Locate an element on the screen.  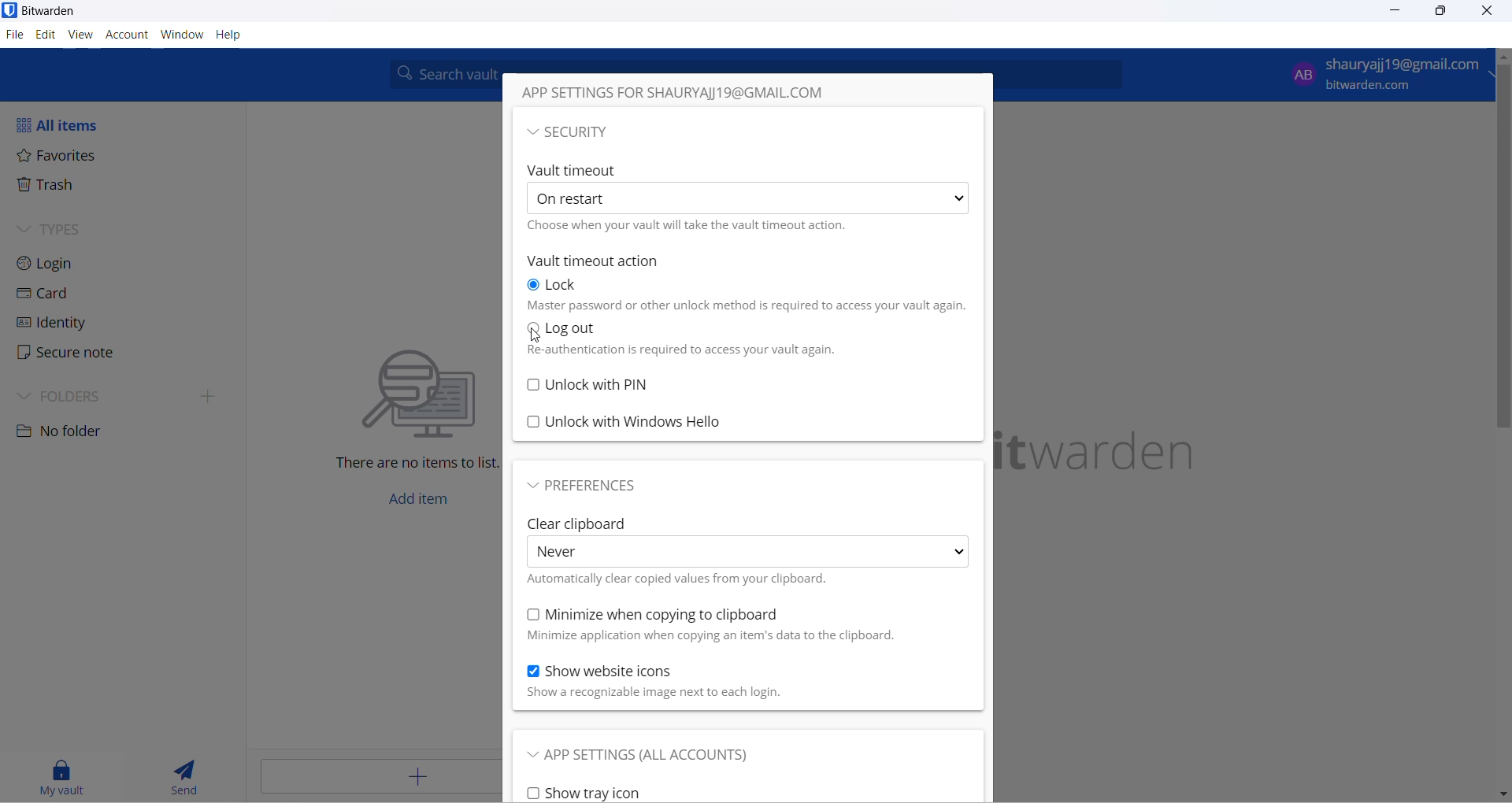
app settings is located at coordinates (659, 758).